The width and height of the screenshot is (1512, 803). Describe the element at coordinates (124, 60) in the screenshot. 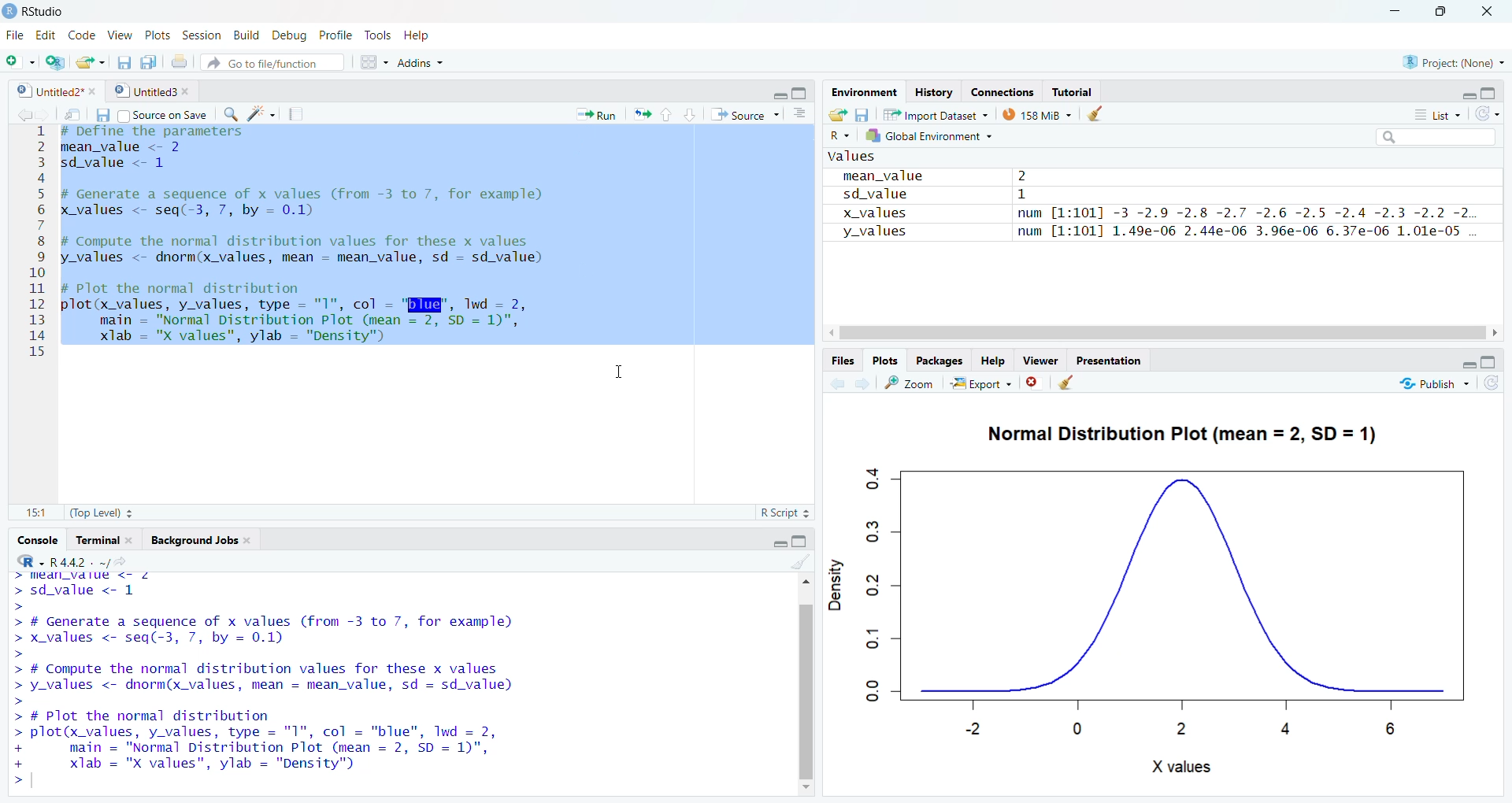

I see `save current file` at that location.